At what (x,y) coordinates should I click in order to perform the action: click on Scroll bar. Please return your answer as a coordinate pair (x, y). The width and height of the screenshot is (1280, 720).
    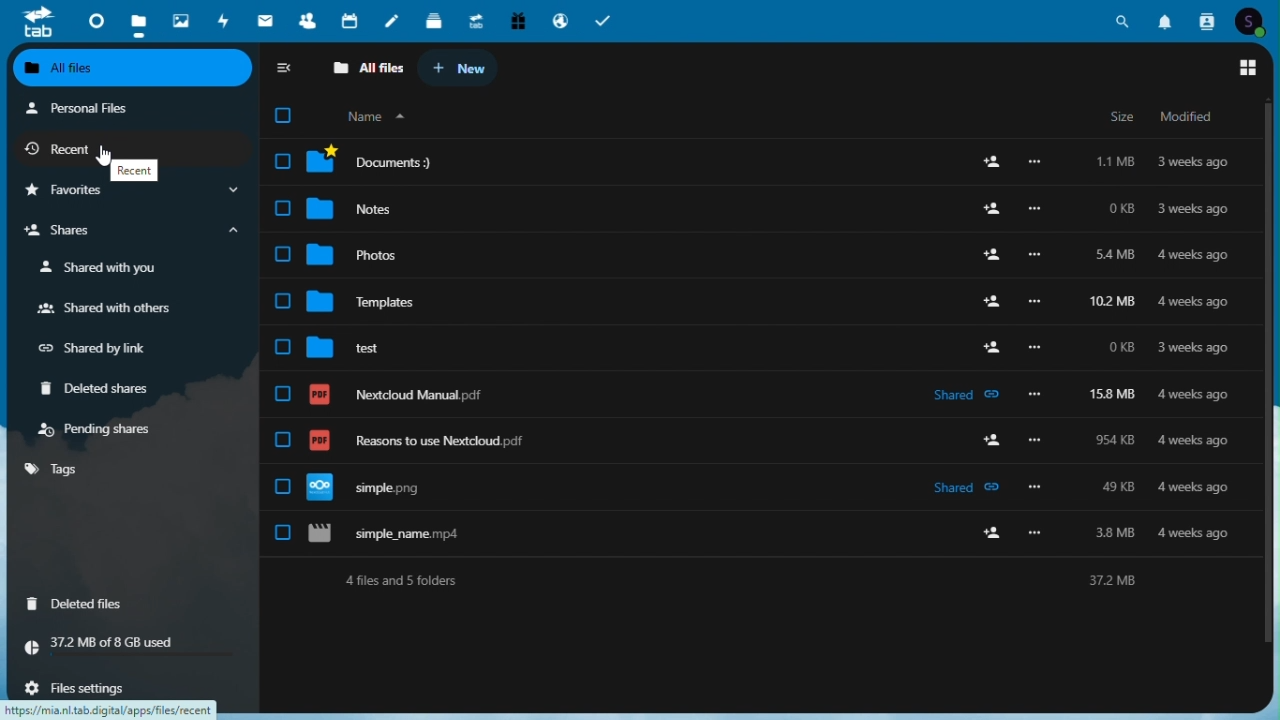
    Looking at the image, I should click on (1272, 373).